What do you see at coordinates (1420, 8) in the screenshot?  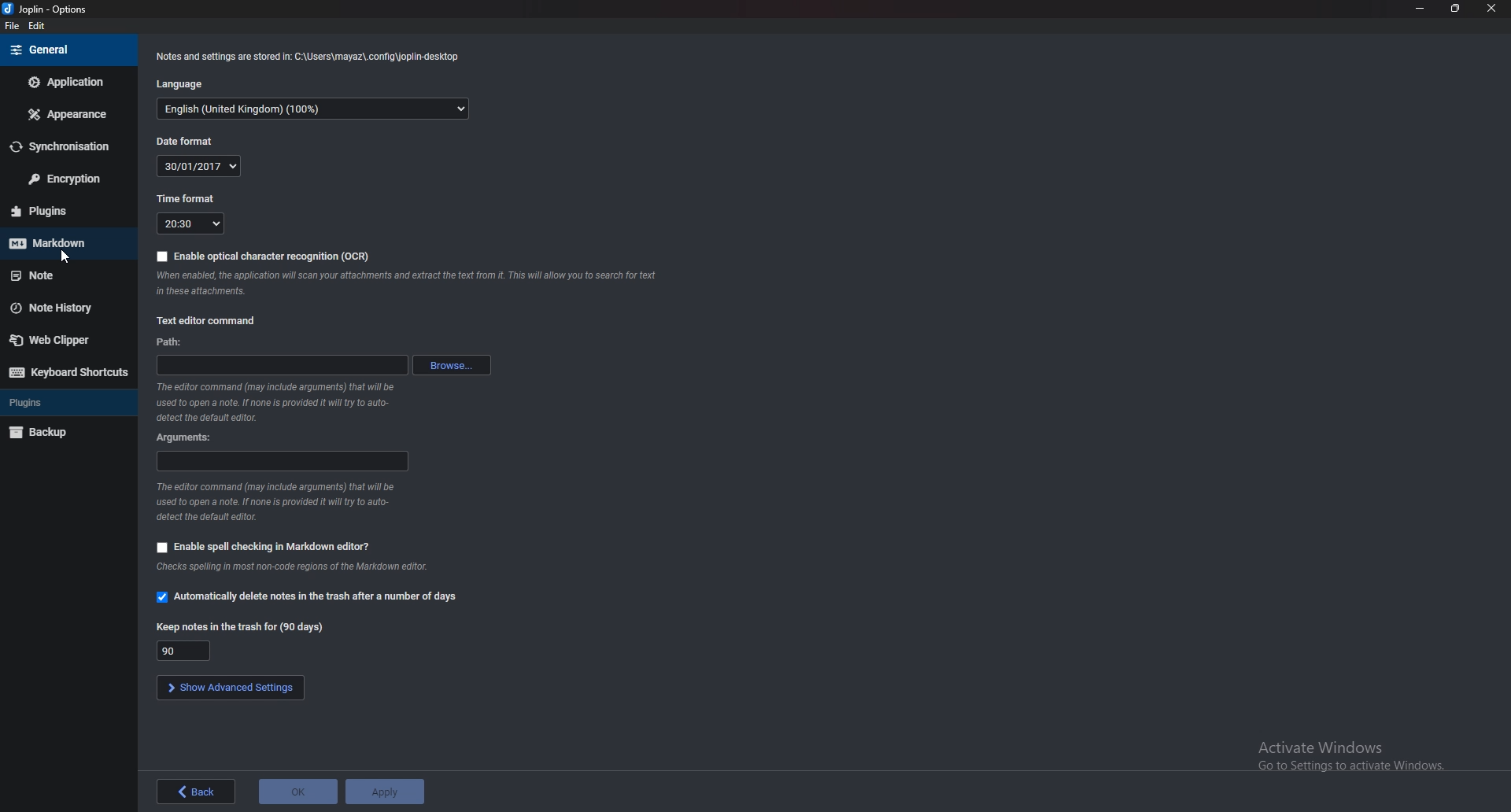 I see `minimize` at bounding box center [1420, 8].